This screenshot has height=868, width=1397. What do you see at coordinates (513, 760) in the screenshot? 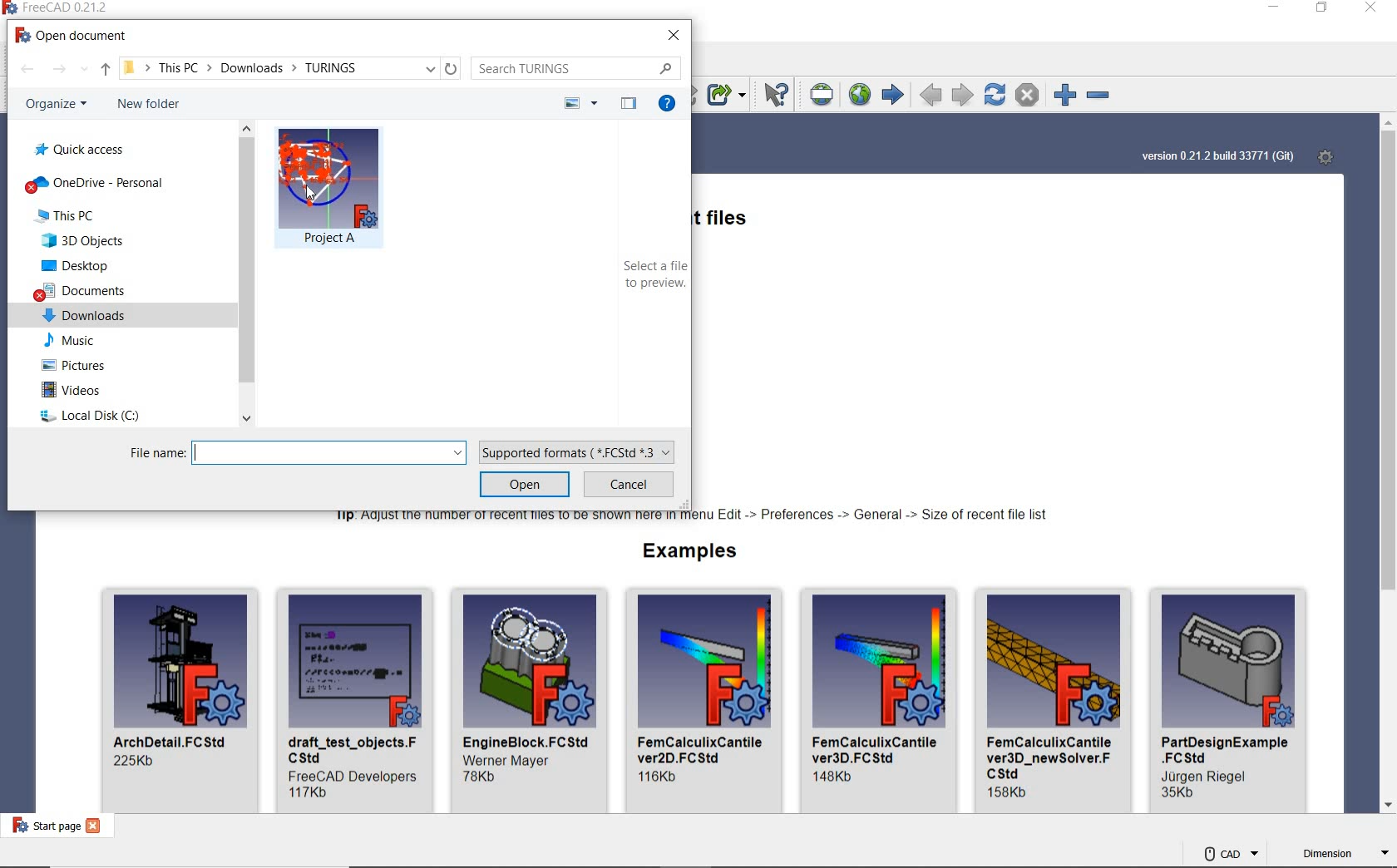
I see `dev name` at bounding box center [513, 760].